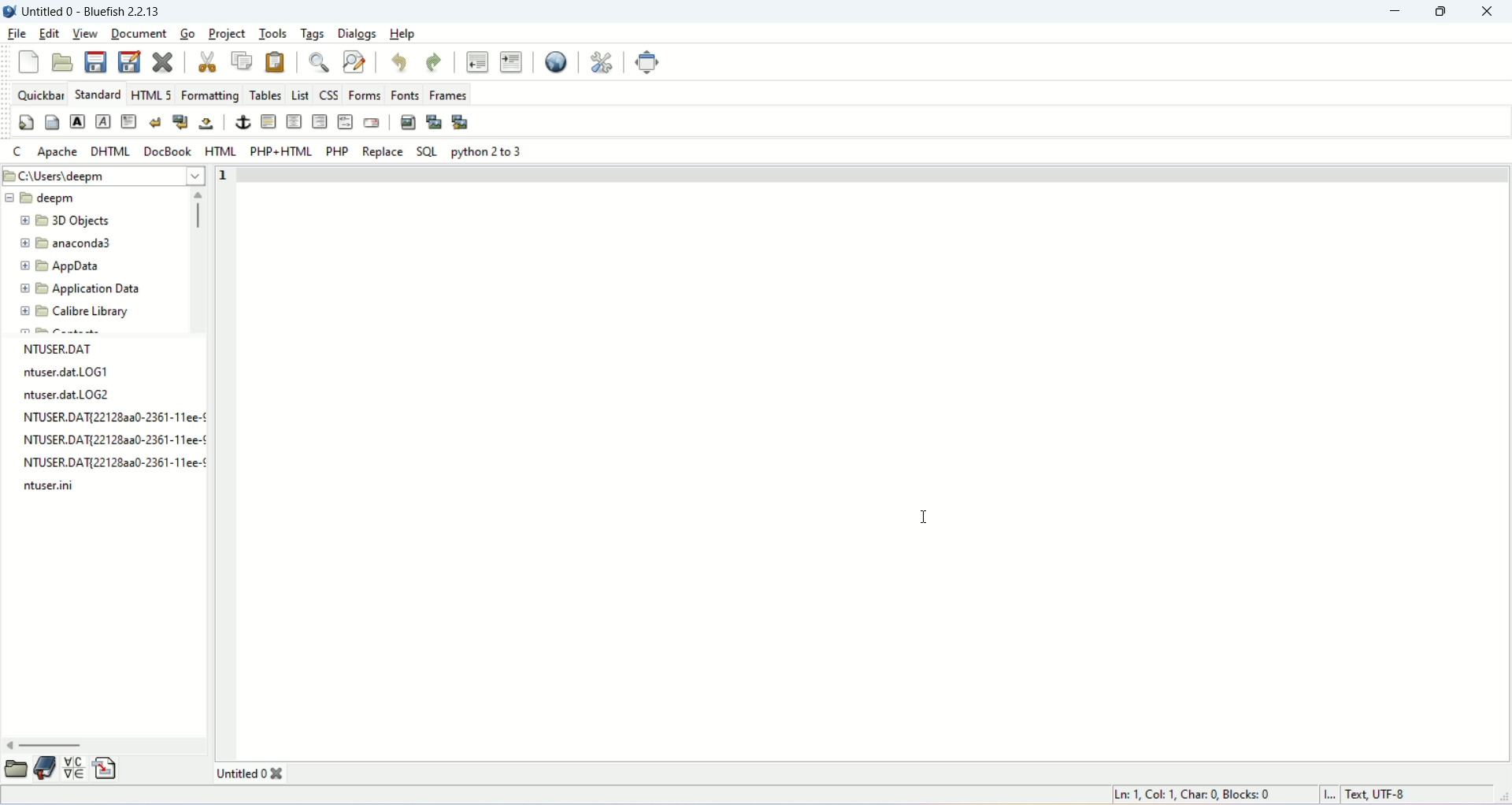 The image size is (1512, 805). Describe the element at coordinates (167, 151) in the screenshot. I see `Docbook` at that location.